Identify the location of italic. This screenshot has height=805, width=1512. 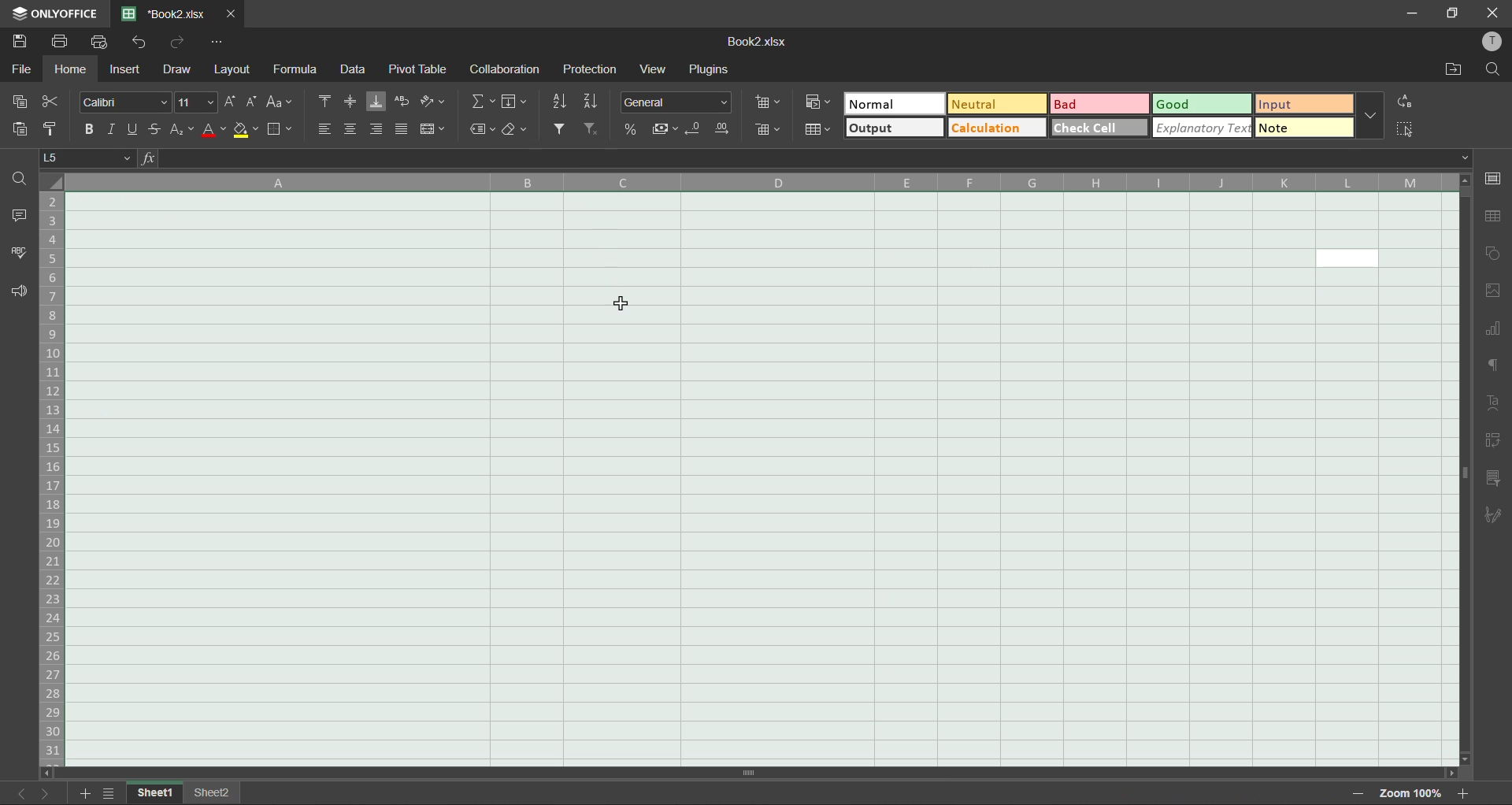
(110, 131).